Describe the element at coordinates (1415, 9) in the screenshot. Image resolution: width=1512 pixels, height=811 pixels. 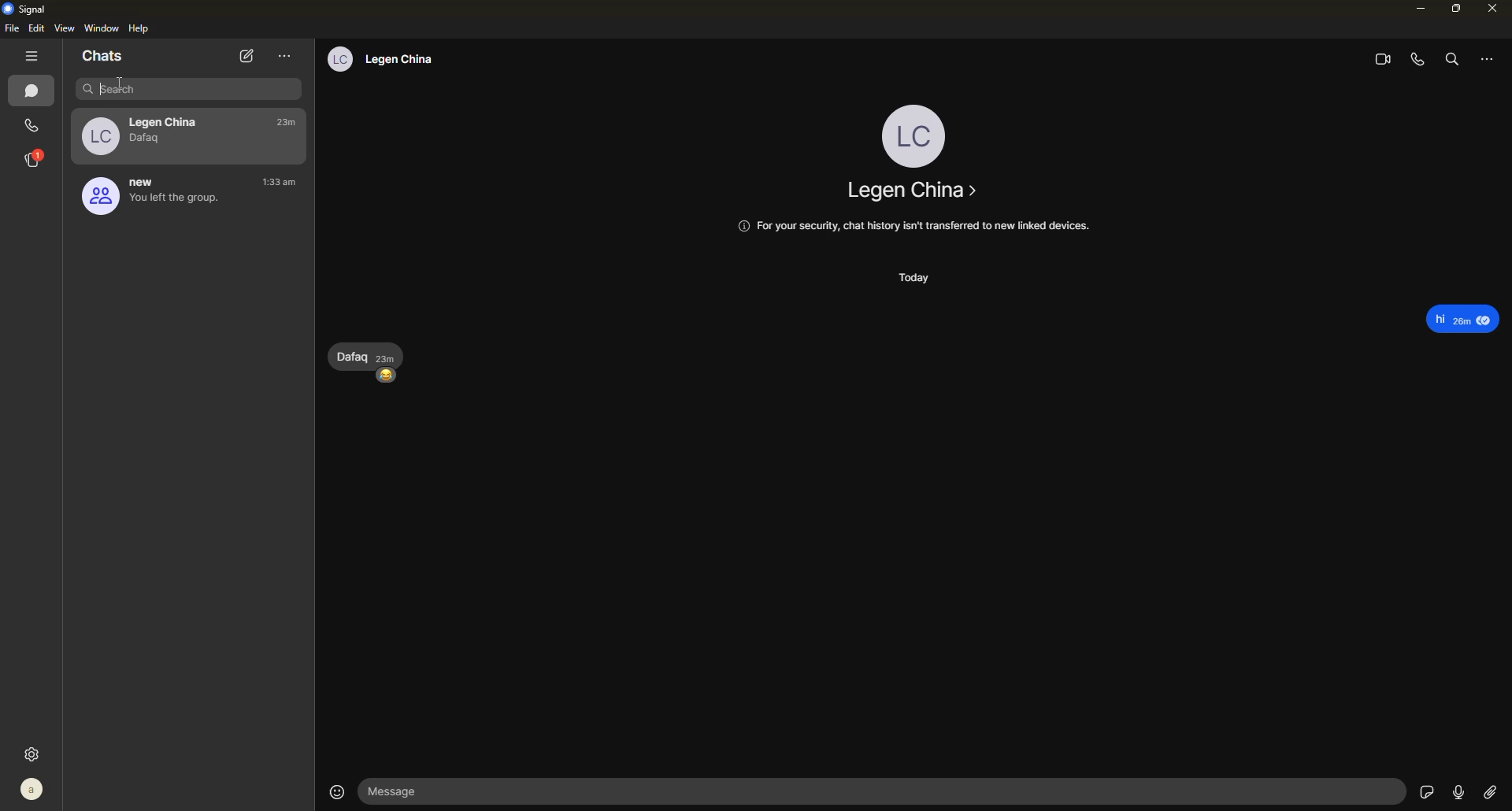
I see `minimize` at that location.